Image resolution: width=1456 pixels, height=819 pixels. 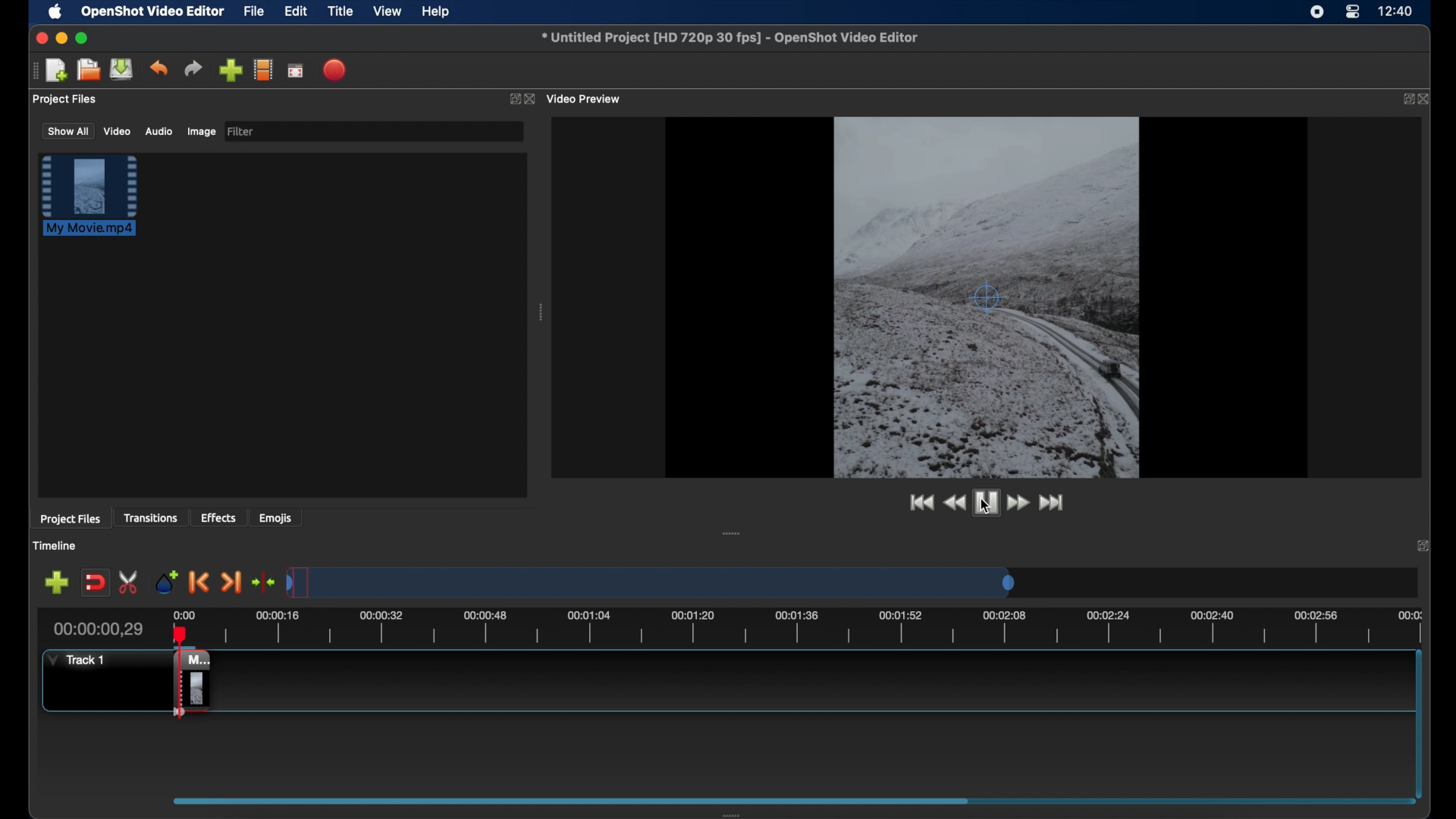 What do you see at coordinates (730, 37) in the screenshot?
I see `file name` at bounding box center [730, 37].